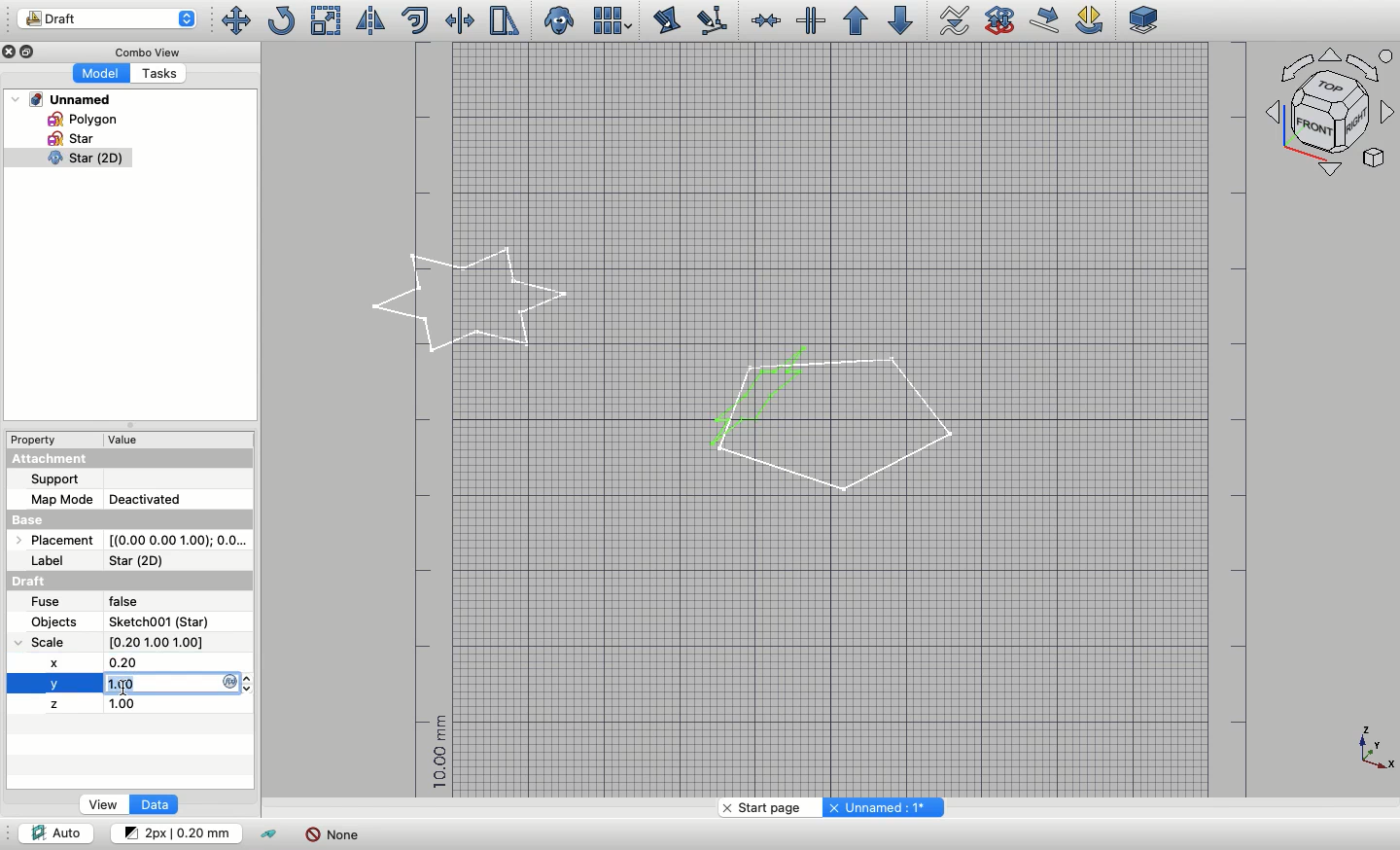 This screenshot has width=1400, height=850. What do you see at coordinates (766, 807) in the screenshot?
I see `Start page` at bounding box center [766, 807].